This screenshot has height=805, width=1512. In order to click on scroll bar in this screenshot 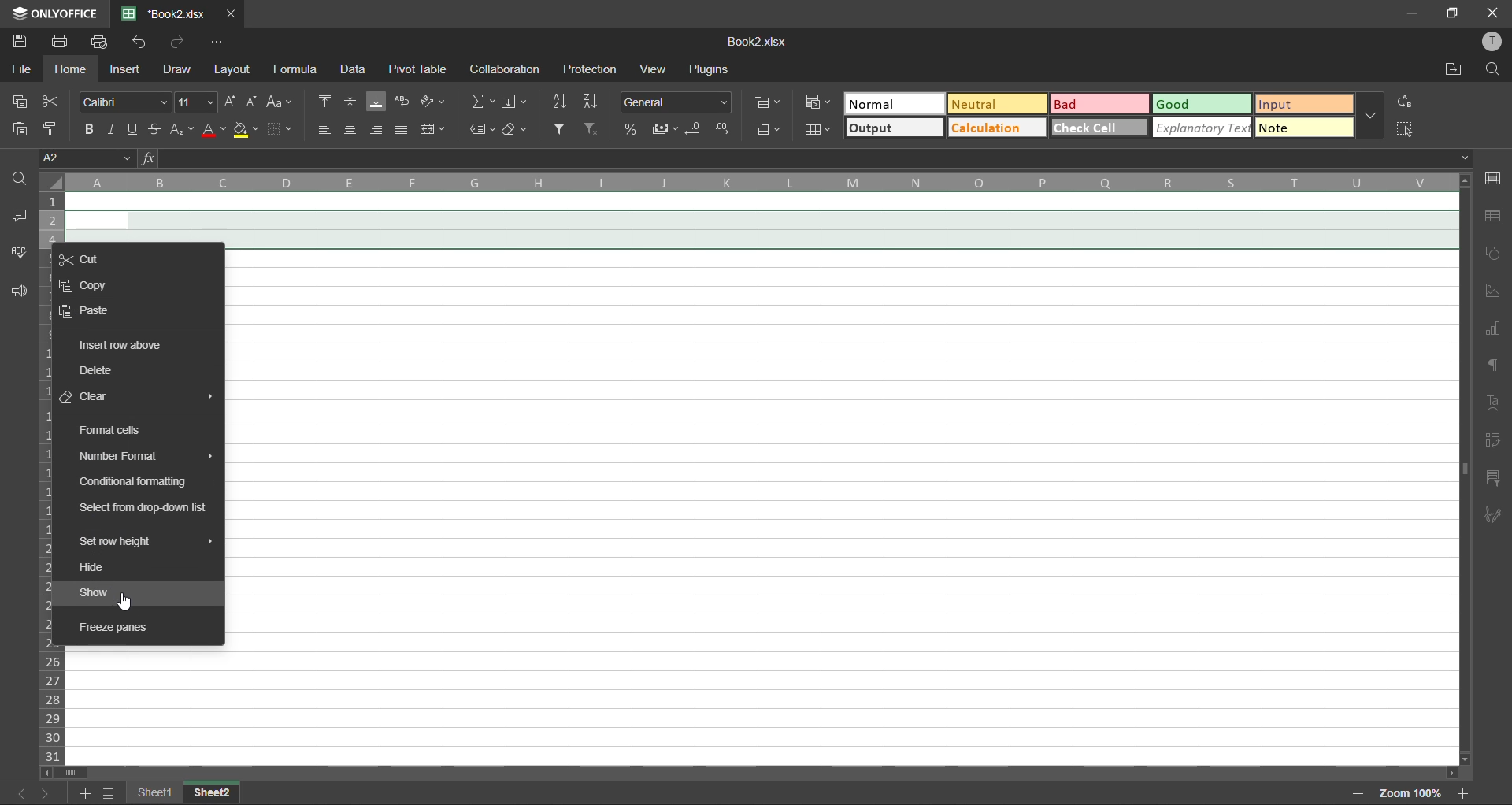, I will do `click(756, 773)`.